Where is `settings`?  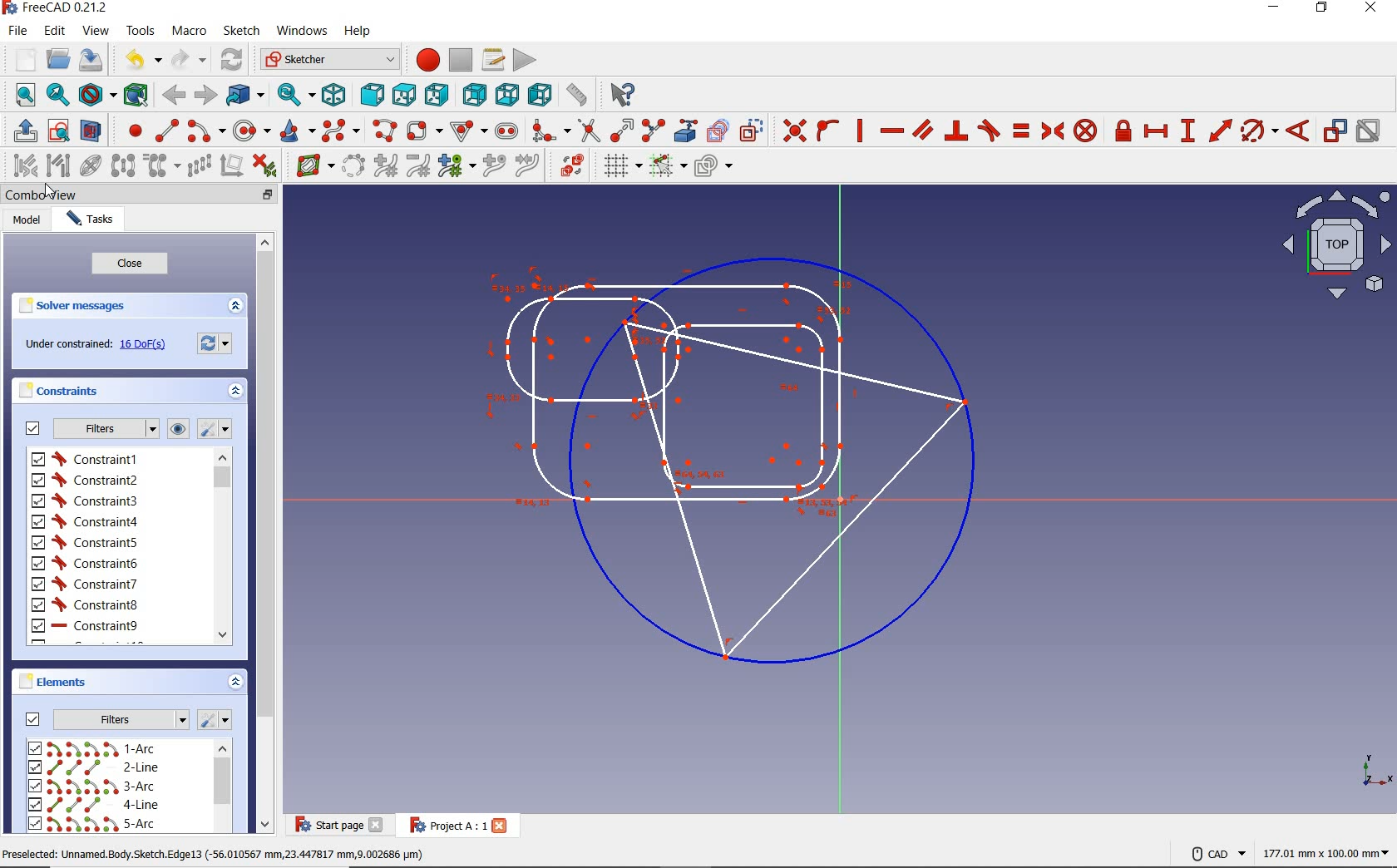 settings is located at coordinates (216, 720).